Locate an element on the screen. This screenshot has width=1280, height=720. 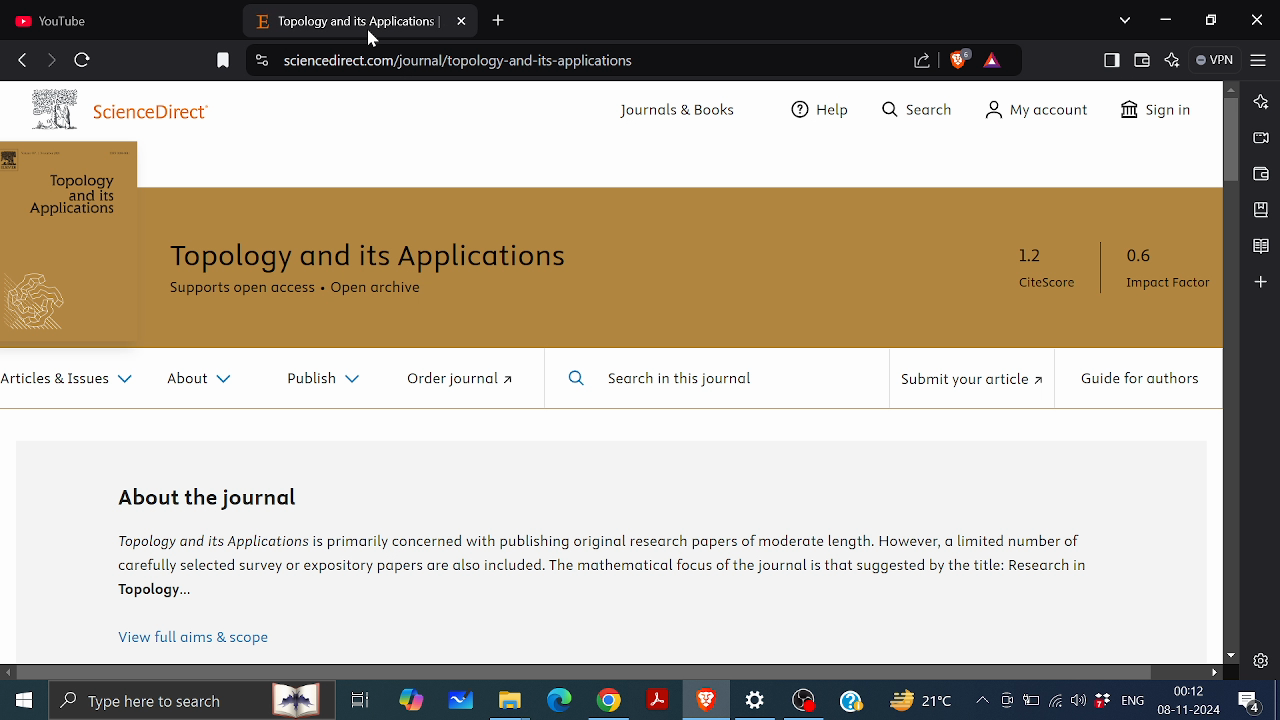
close is located at coordinates (1257, 22).